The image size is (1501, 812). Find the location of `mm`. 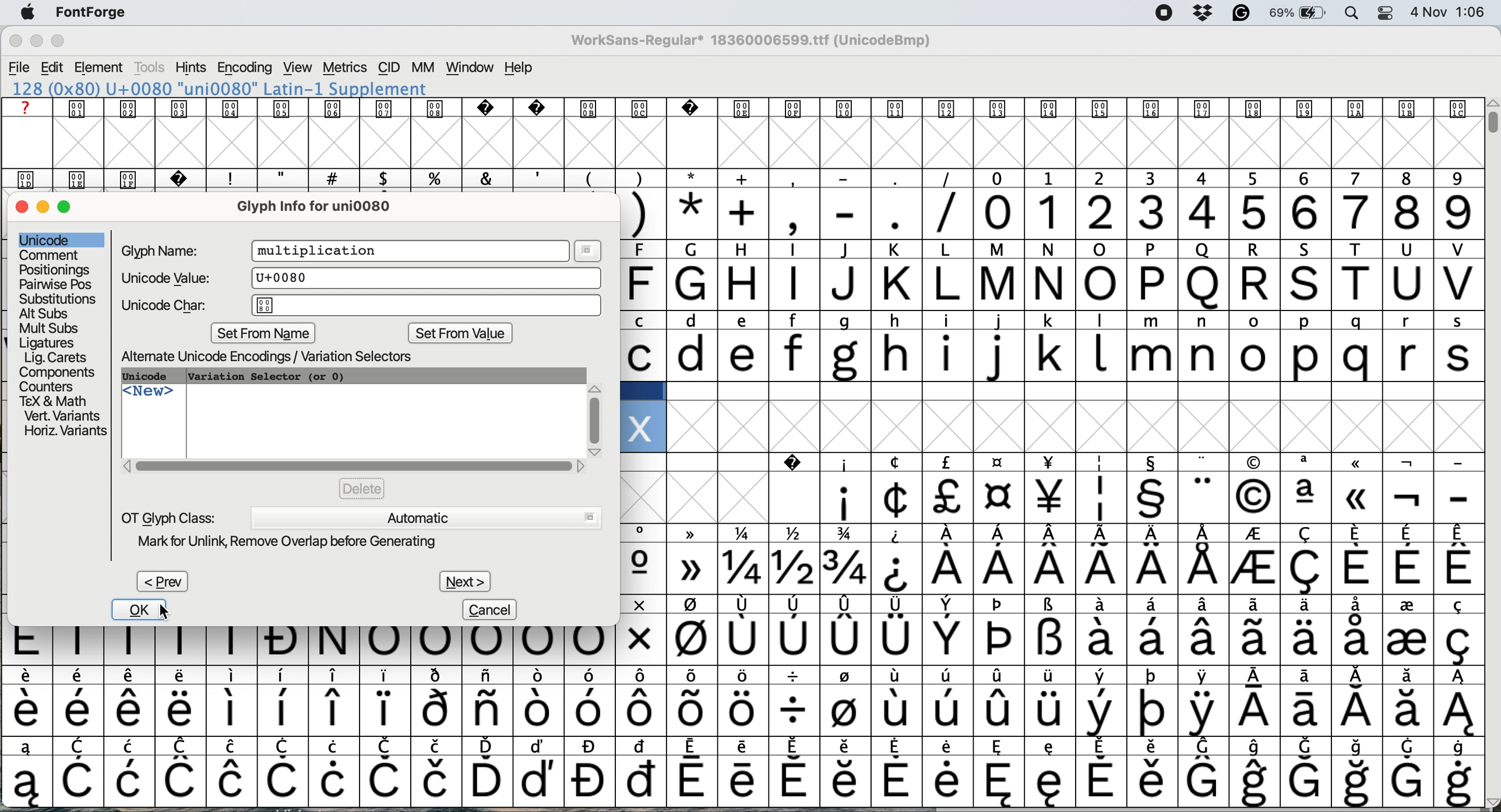

mm is located at coordinates (422, 68).